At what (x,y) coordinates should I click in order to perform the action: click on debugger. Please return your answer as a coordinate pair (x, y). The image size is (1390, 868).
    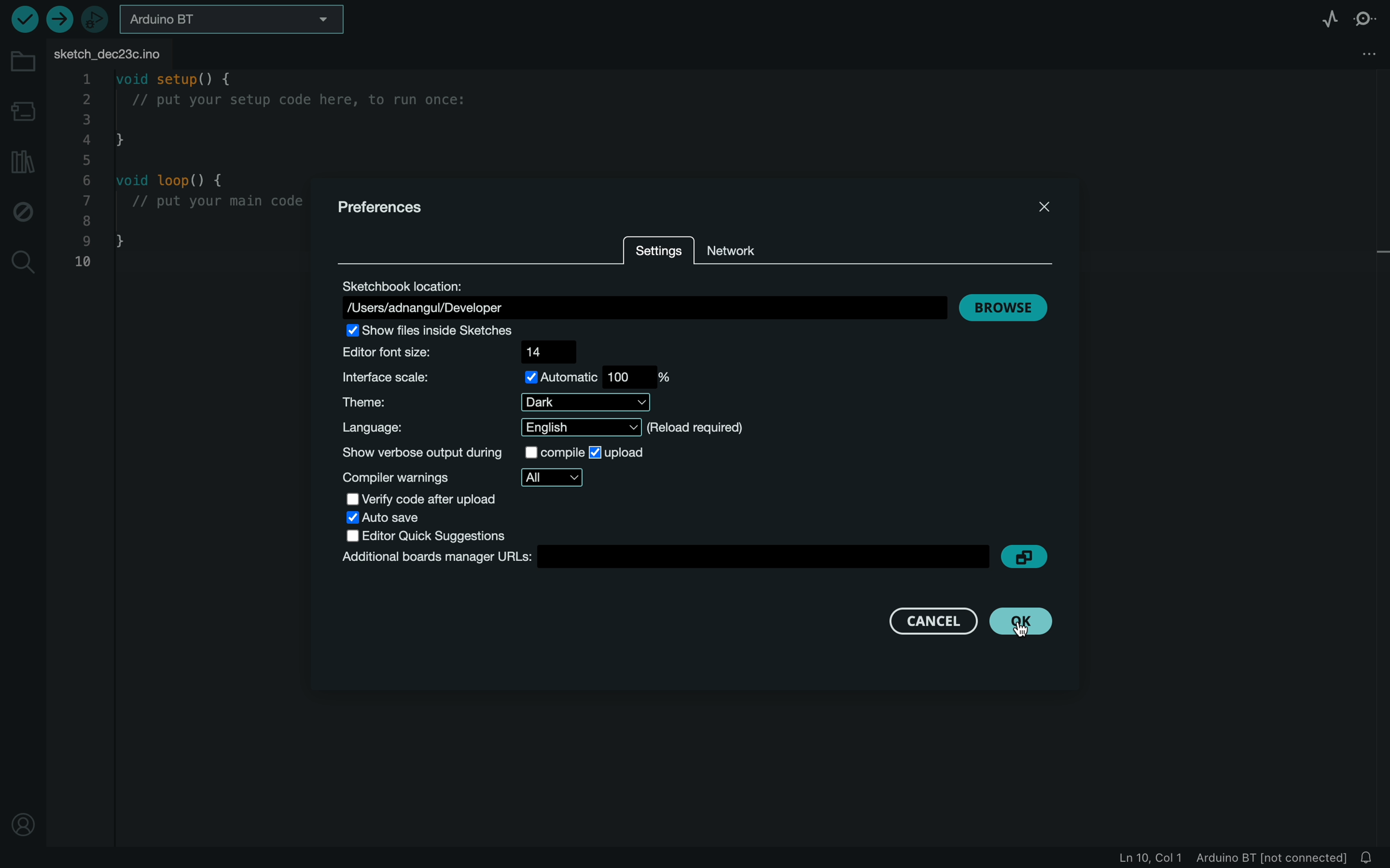
    Looking at the image, I should click on (95, 19).